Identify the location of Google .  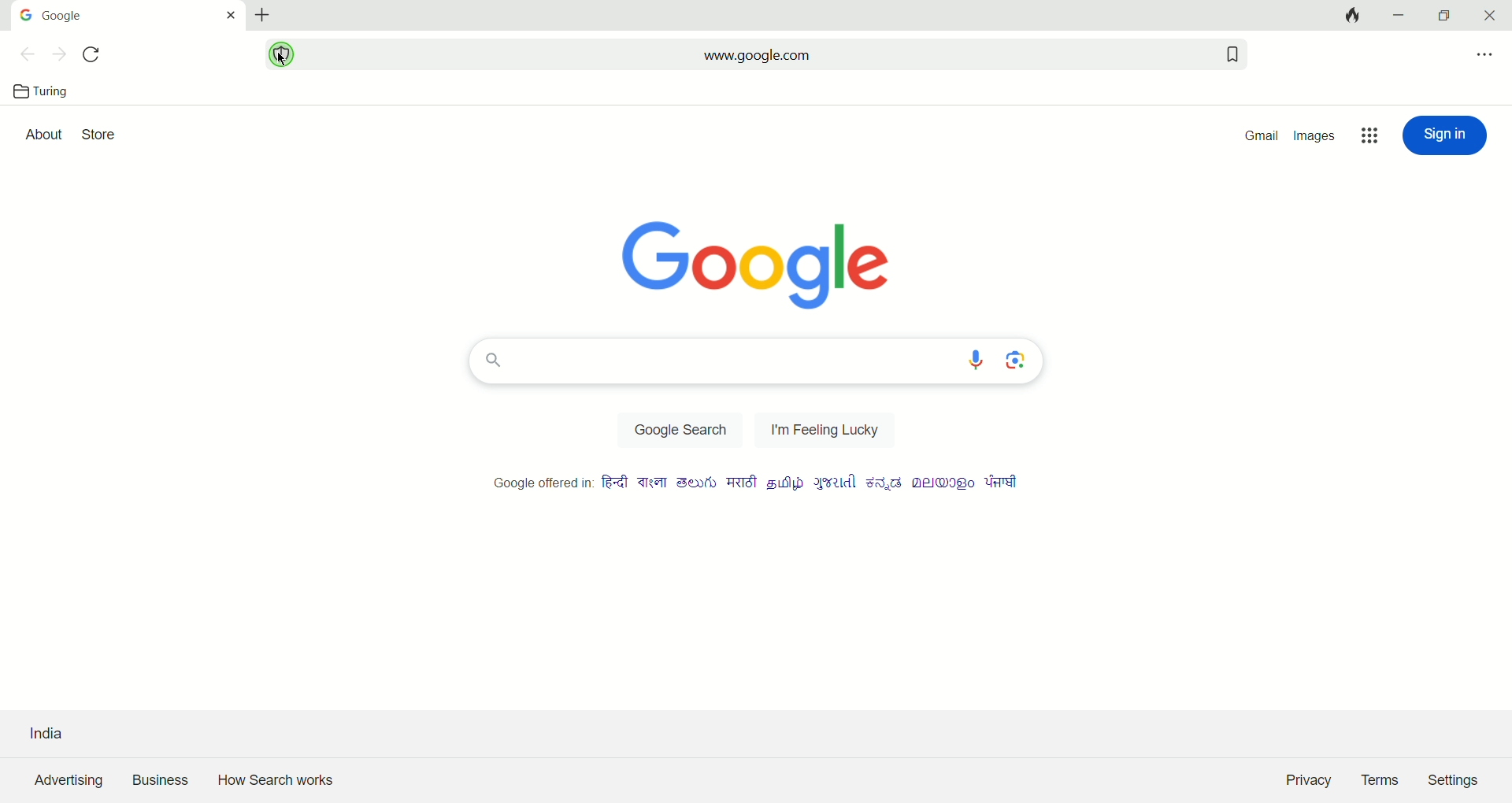
(758, 265).